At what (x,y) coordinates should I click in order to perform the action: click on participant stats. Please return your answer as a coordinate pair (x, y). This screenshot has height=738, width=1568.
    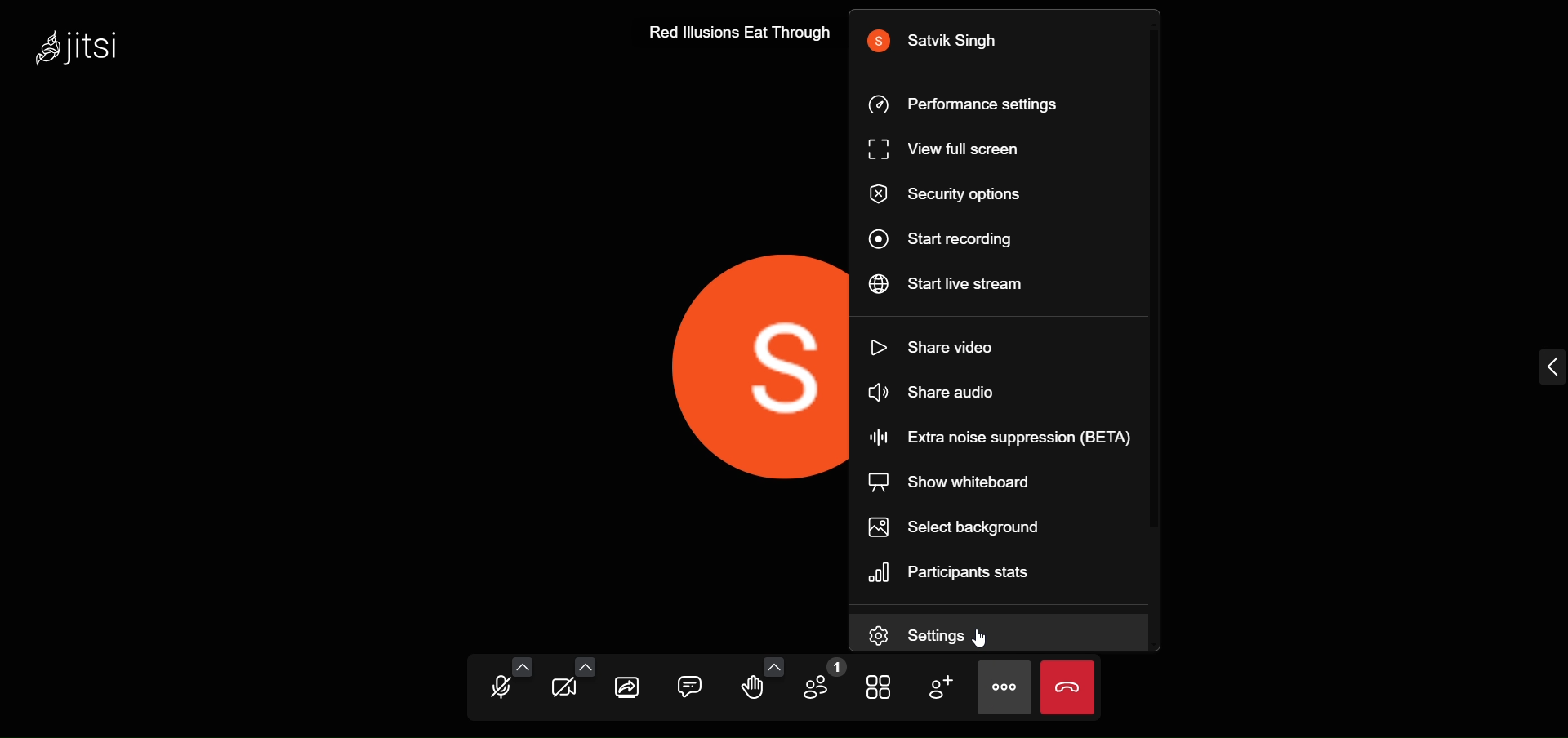
    Looking at the image, I should click on (955, 575).